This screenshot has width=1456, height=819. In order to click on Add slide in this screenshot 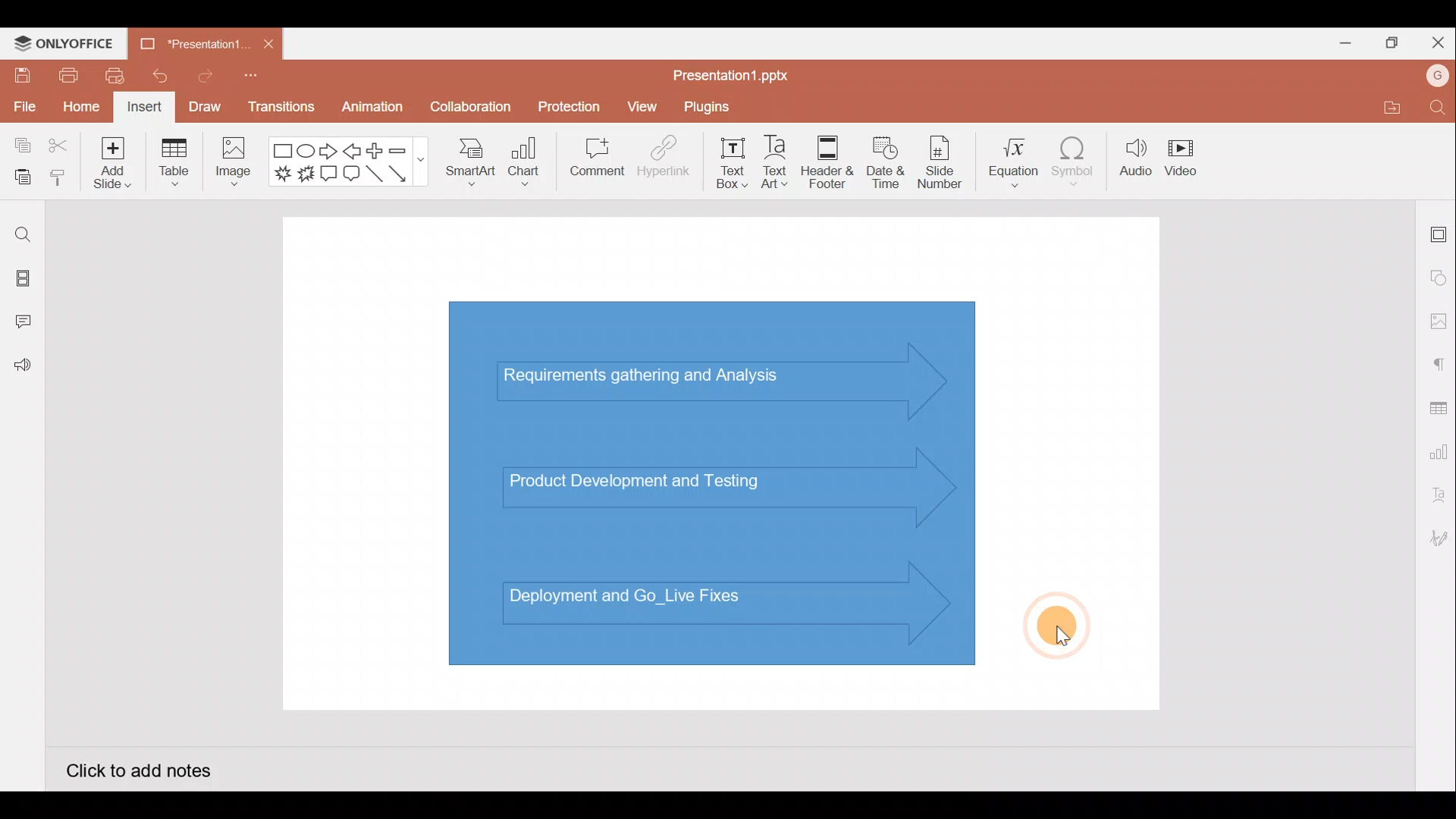, I will do `click(110, 159)`.